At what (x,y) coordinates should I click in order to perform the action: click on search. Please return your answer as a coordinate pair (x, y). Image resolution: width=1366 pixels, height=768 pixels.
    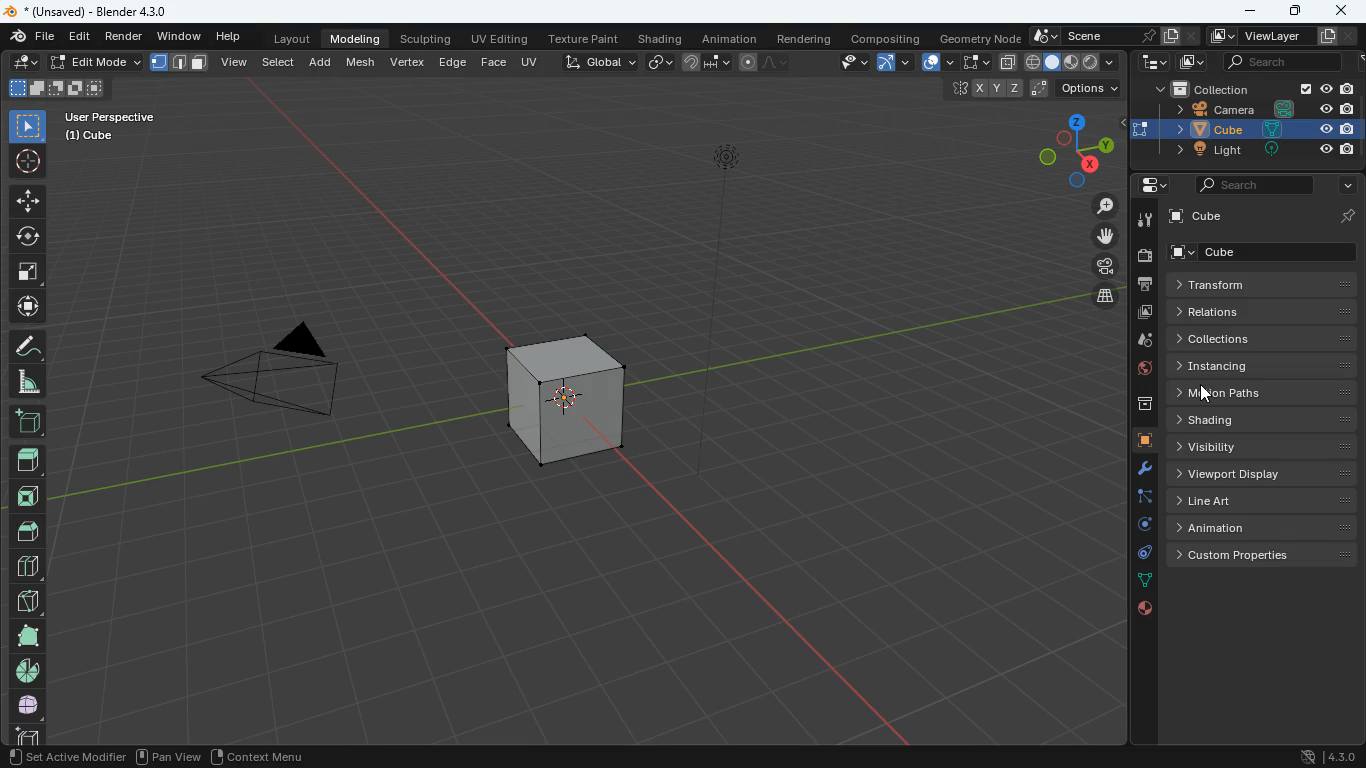
    Looking at the image, I should click on (1274, 63).